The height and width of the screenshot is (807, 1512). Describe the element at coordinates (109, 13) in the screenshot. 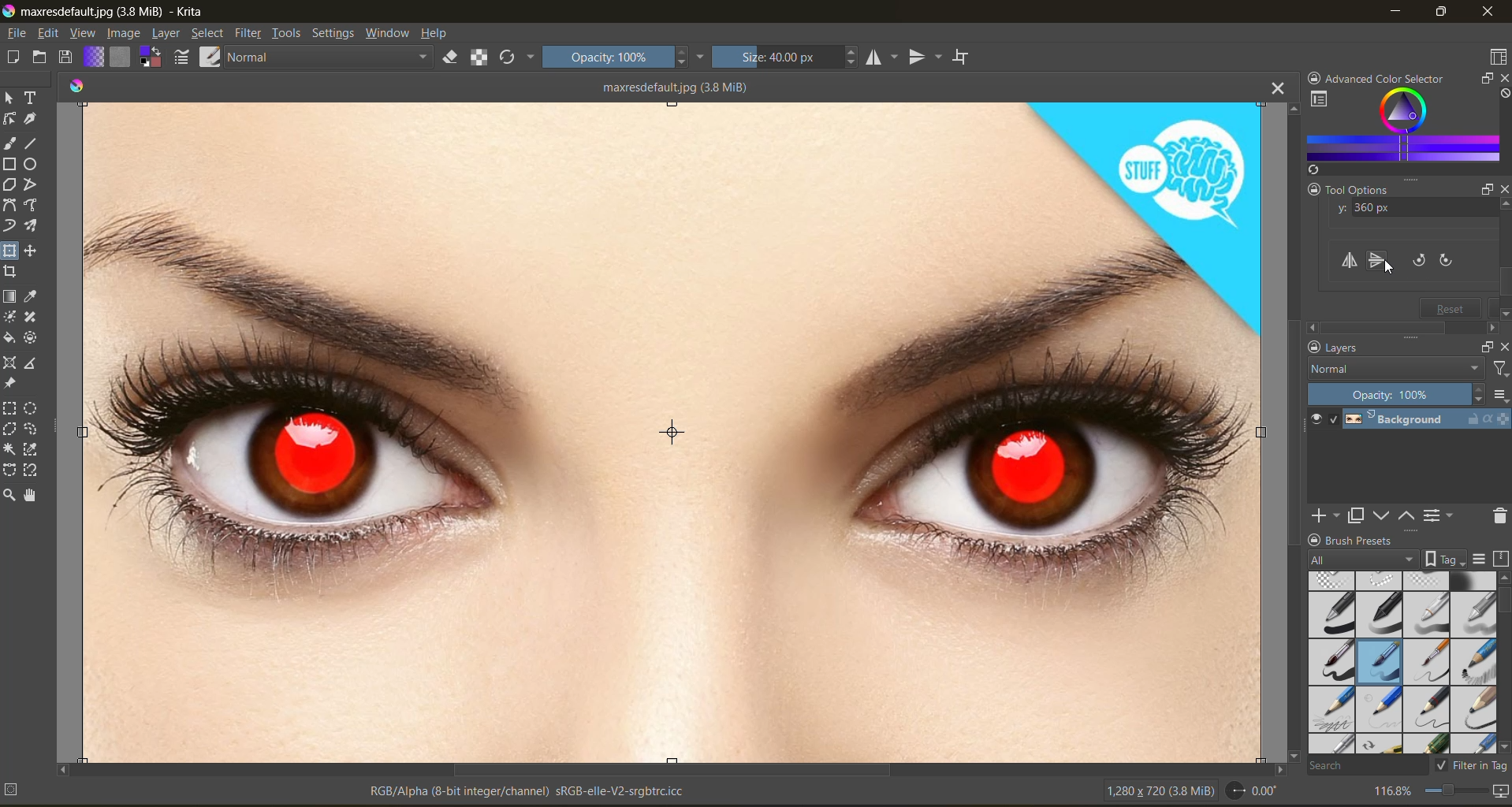

I see `app name and file name` at that location.